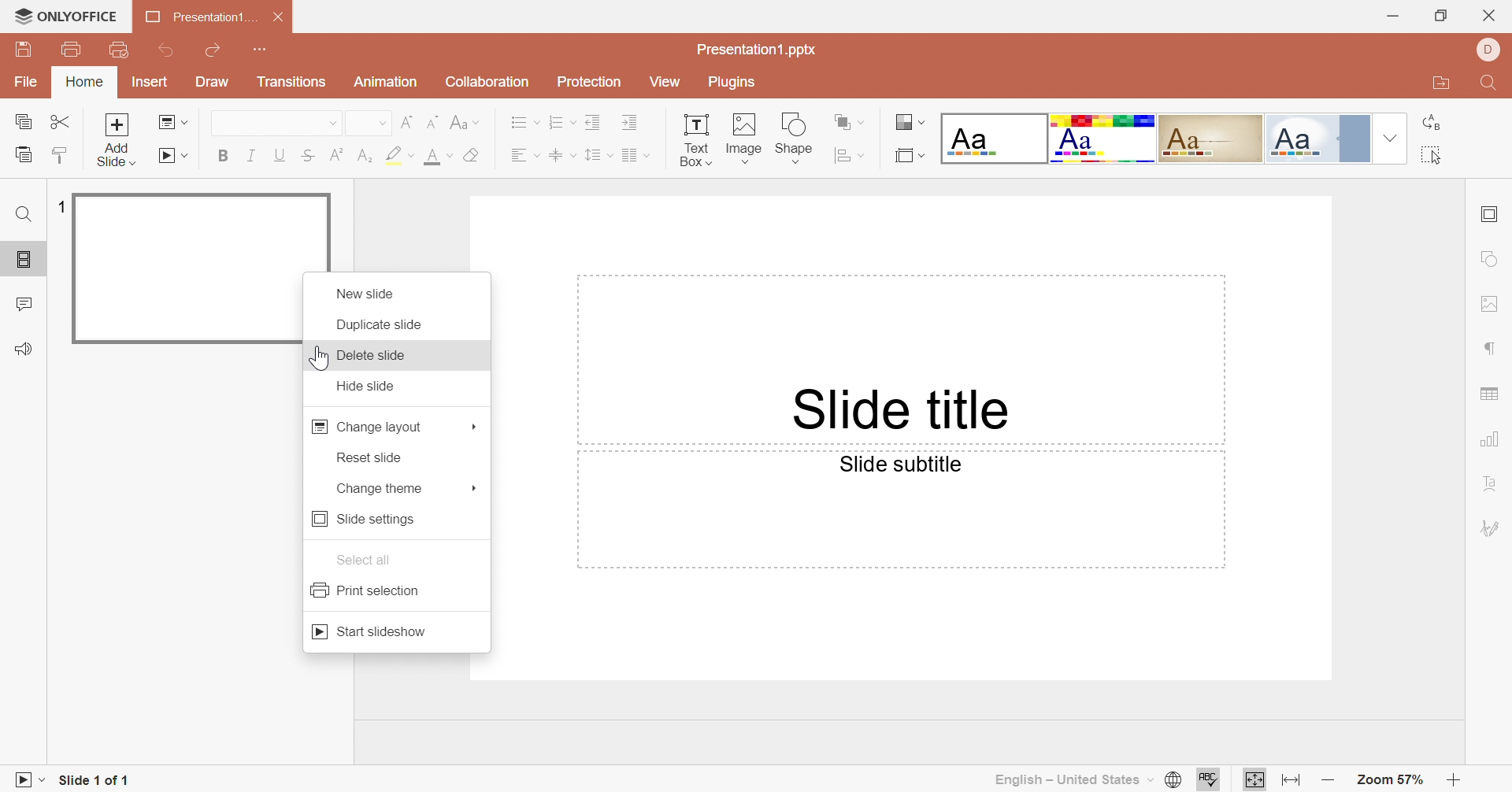  What do you see at coordinates (574, 120) in the screenshot?
I see `Drop Down` at bounding box center [574, 120].